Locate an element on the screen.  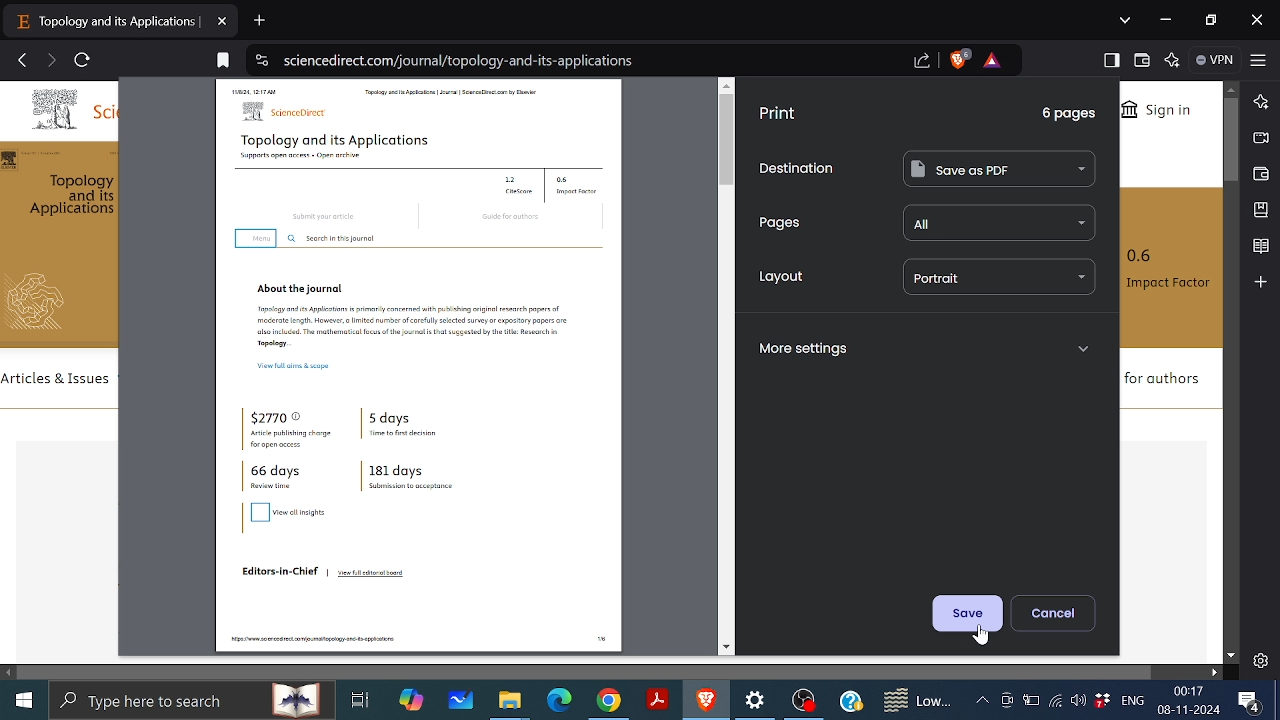
Horizontal scrollbar is located at coordinates (588, 673).